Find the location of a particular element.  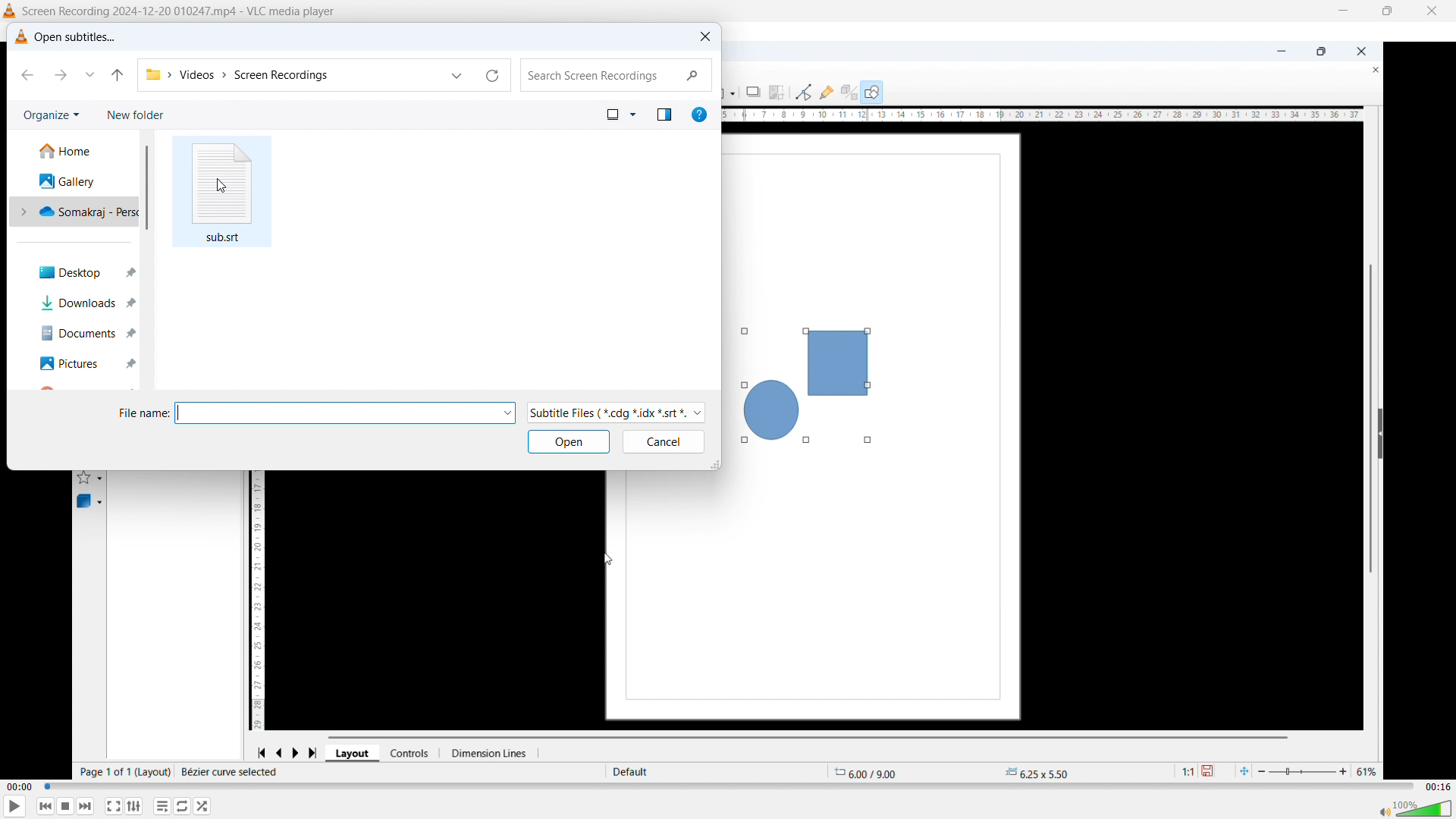

View options  is located at coordinates (619, 114).